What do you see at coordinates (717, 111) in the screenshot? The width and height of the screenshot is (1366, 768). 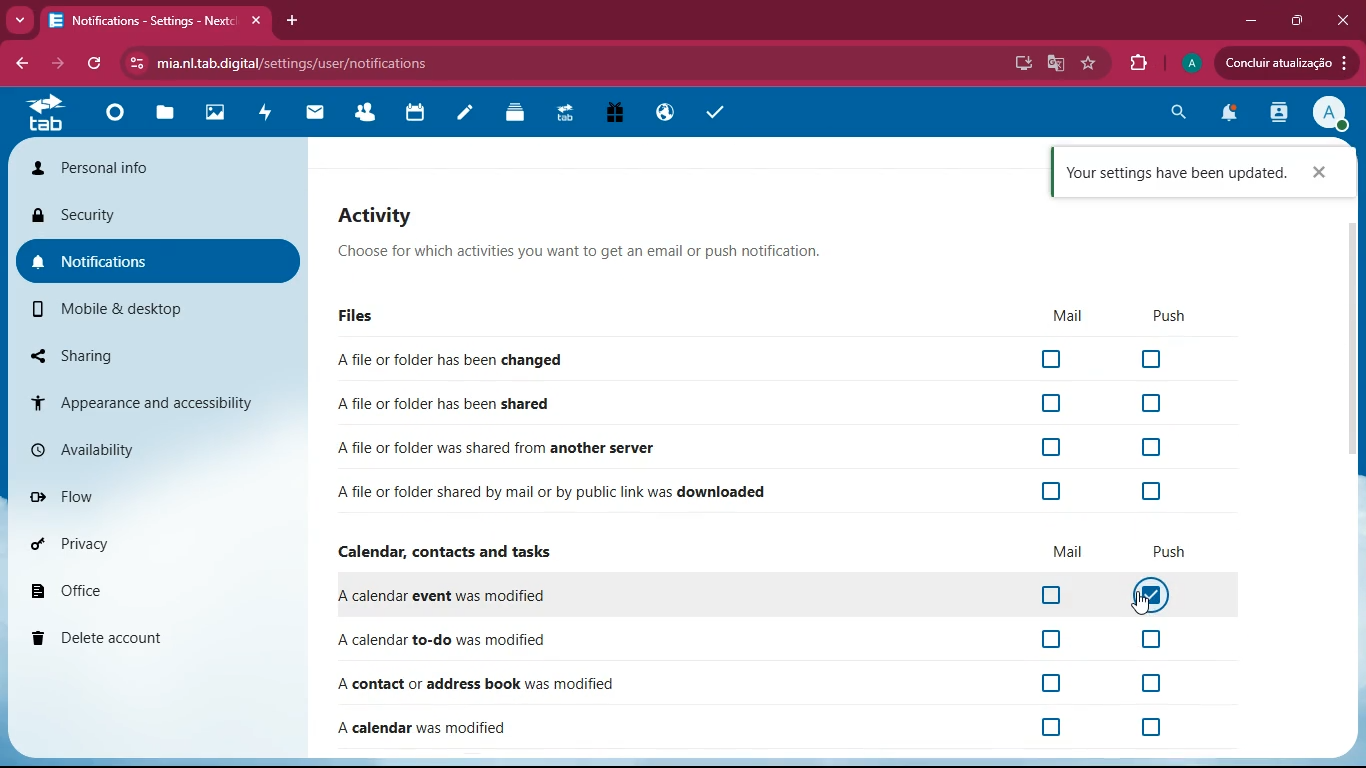 I see `tasks` at bounding box center [717, 111].